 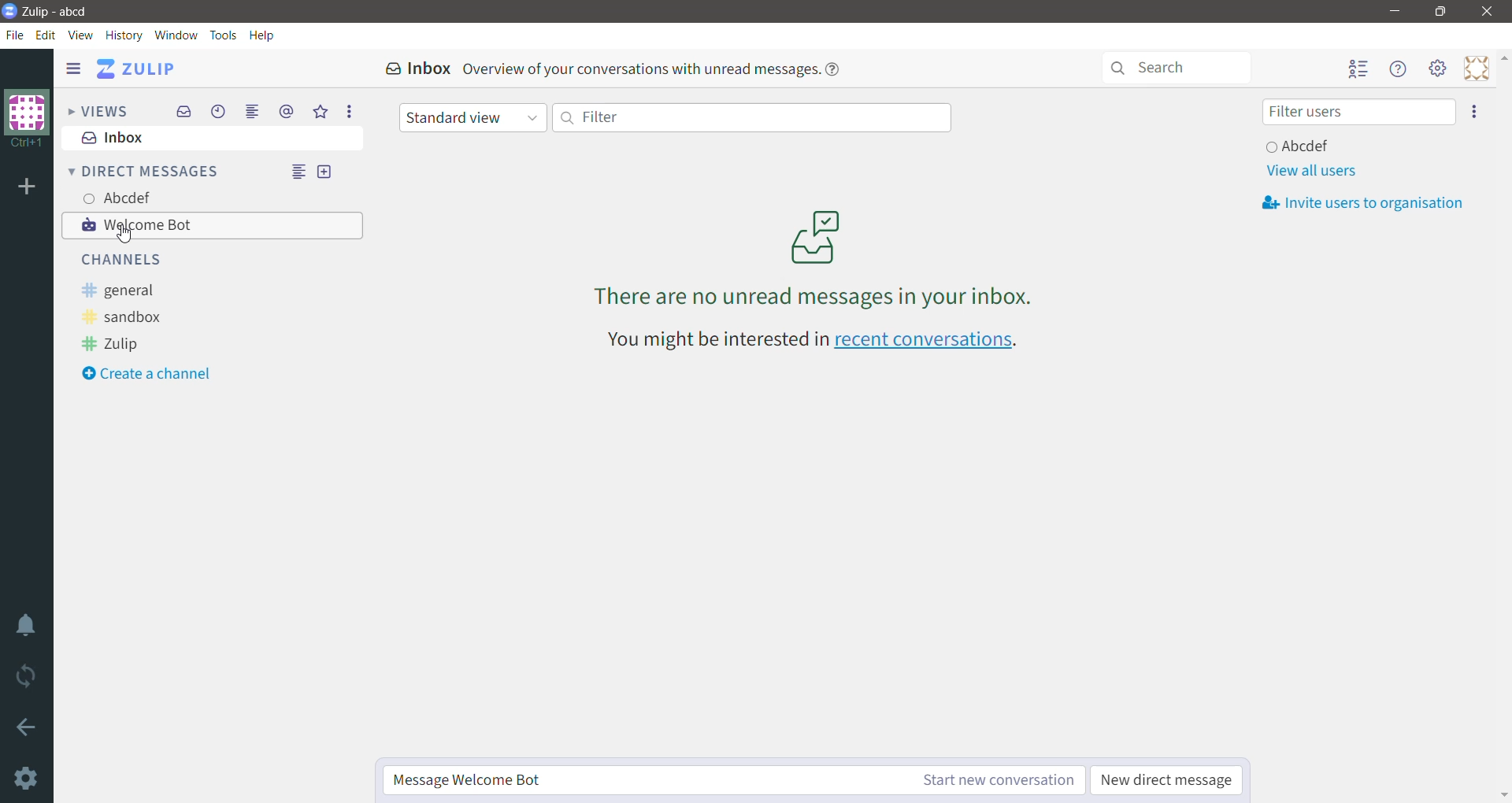 I want to click on Restore Down, so click(x=1440, y=12).